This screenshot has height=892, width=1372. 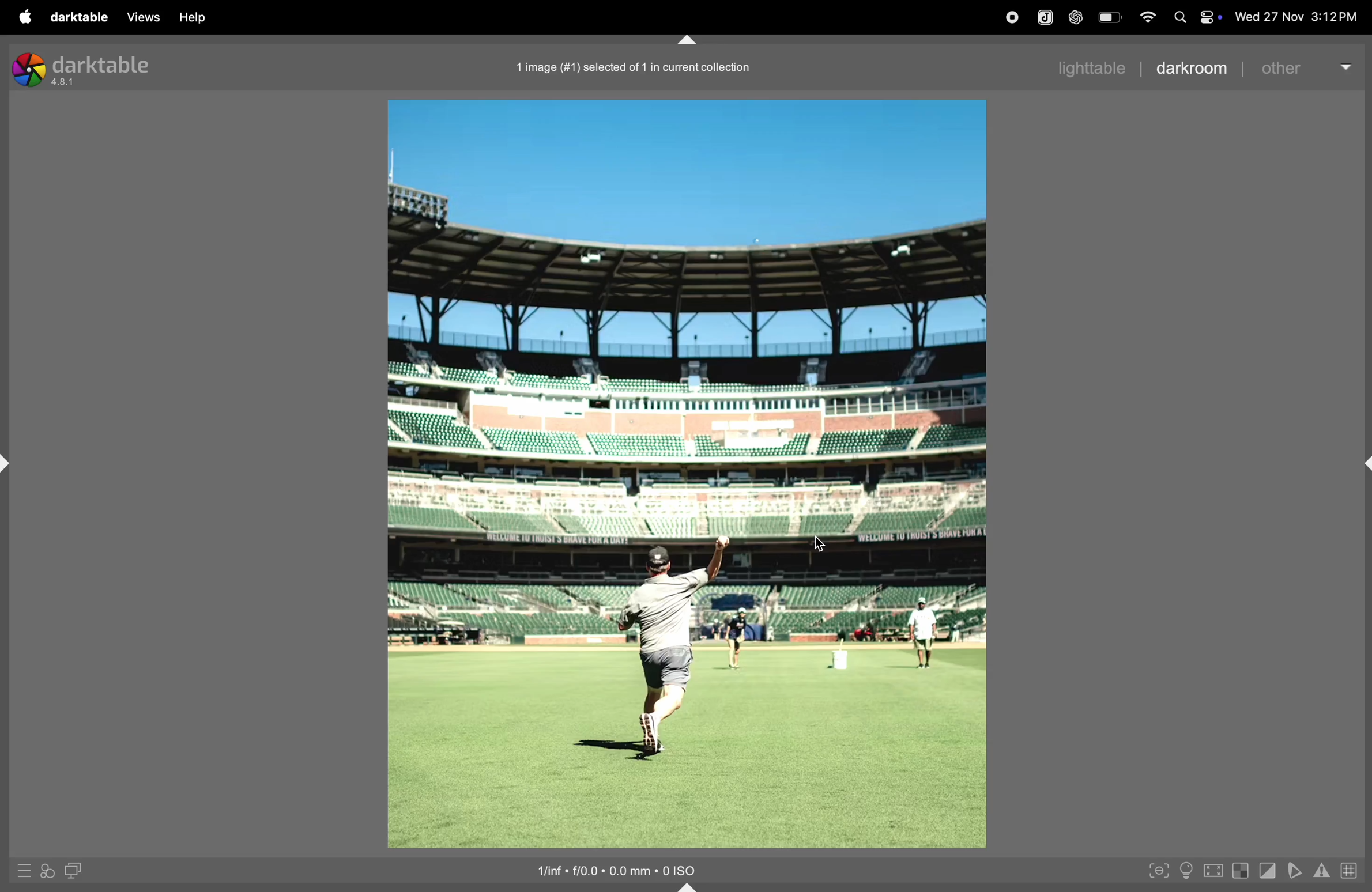 What do you see at coordinates (92, 69) in the screenshot?
I see `darktable version` at bounding box center [92, 69].